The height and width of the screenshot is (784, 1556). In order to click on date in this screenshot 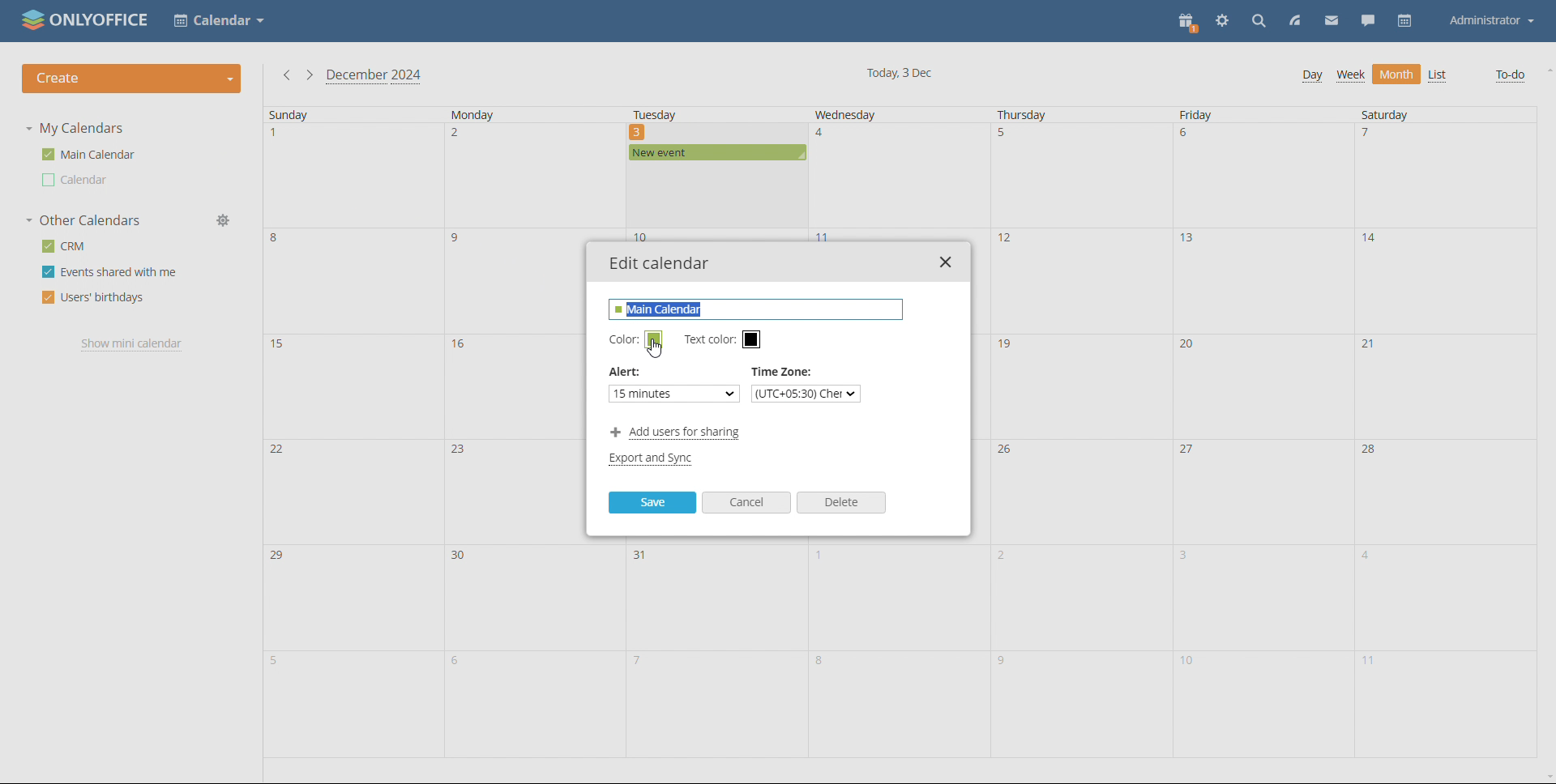, I will do `click(1081, 388)`.